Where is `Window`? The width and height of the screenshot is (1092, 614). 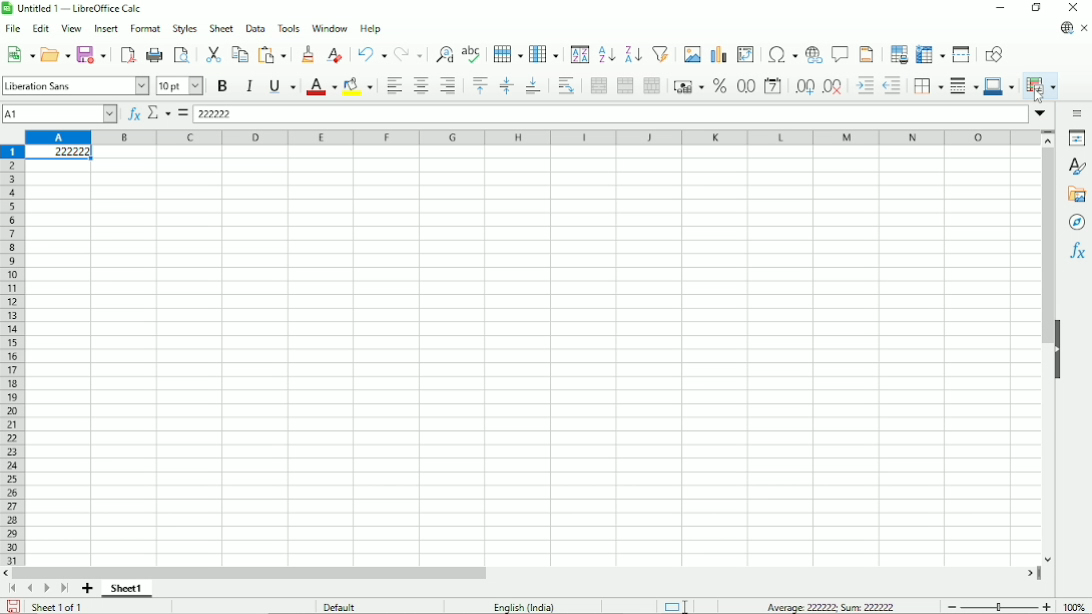 Window is located at coordinates (329, 28).